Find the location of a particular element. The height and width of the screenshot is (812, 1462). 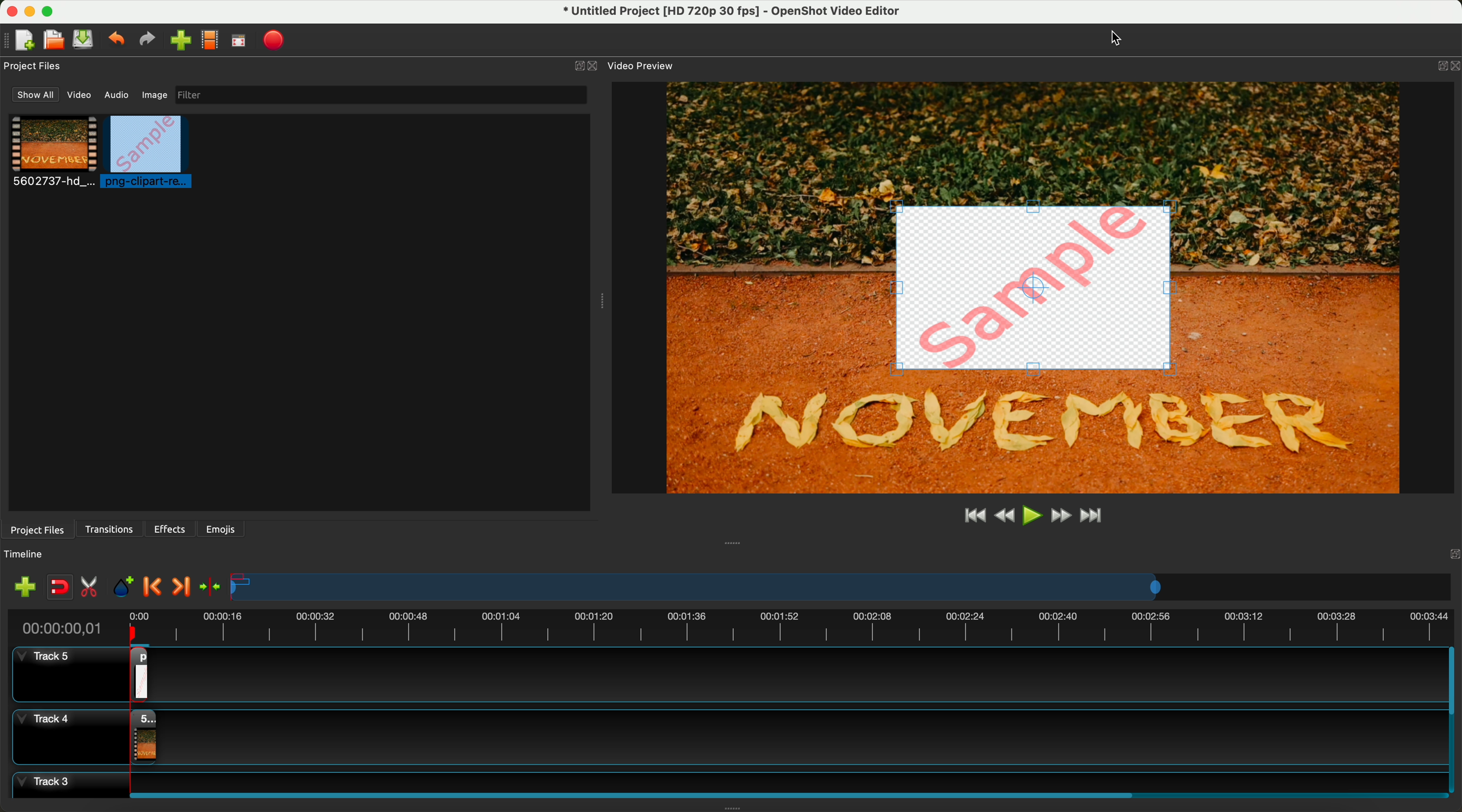

choose profile is located at coordinates (213, 42).